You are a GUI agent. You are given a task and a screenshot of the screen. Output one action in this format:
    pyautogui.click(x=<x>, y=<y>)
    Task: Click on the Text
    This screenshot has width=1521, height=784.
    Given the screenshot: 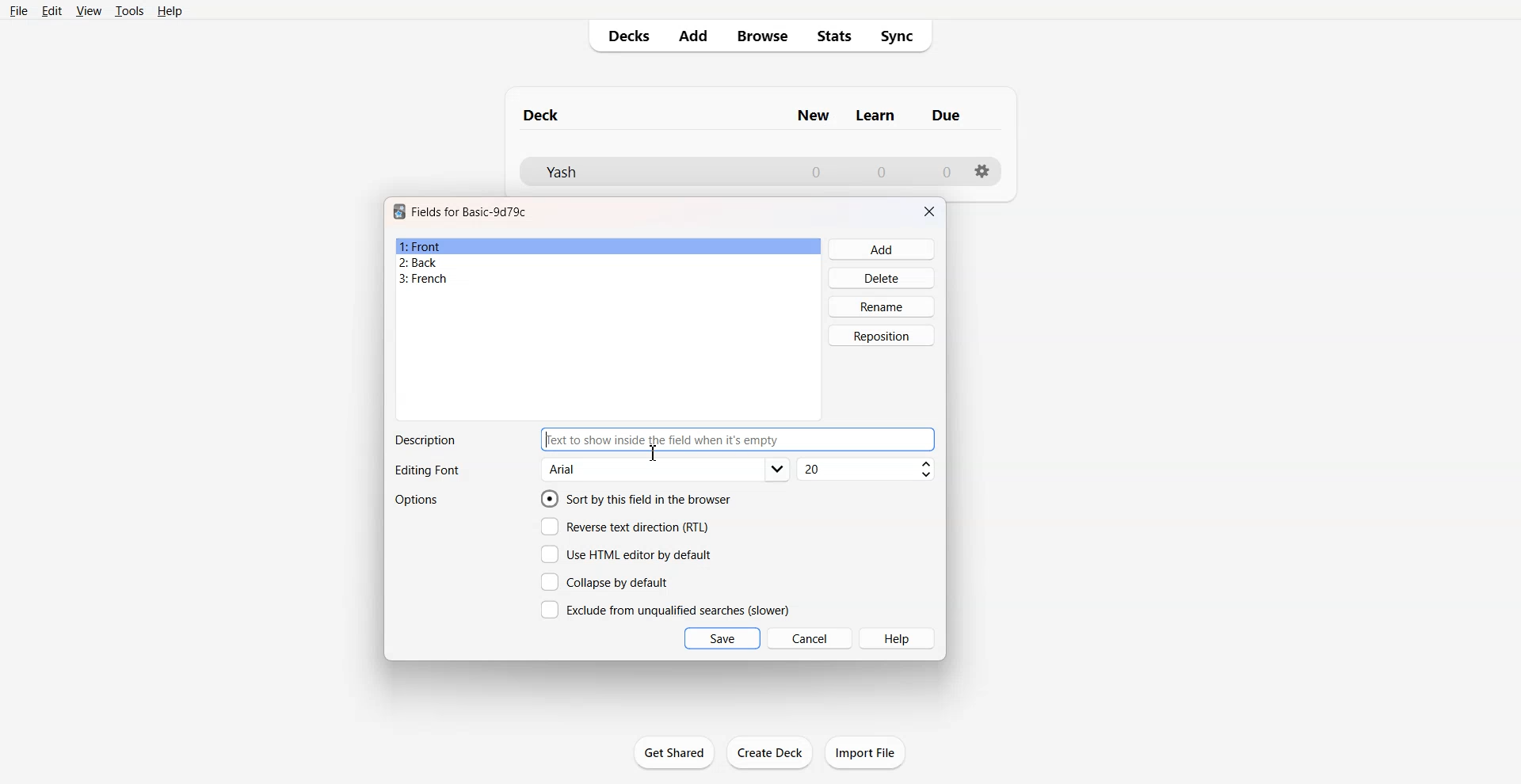 What is the action you would take?
    pyautogui.click(x=425, y=440)
    